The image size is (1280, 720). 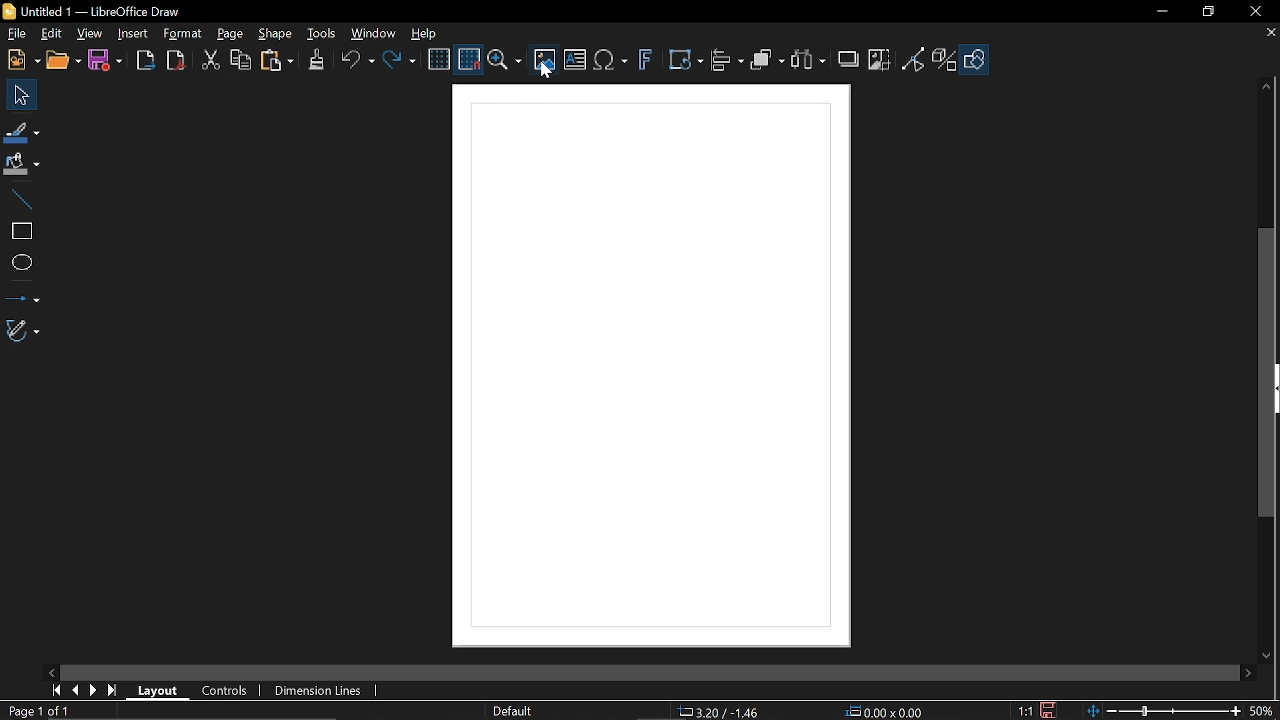 What do you see at coordinates (278, 62) in the screenshot?
I see `Paste` at bounding box center [278, 62].